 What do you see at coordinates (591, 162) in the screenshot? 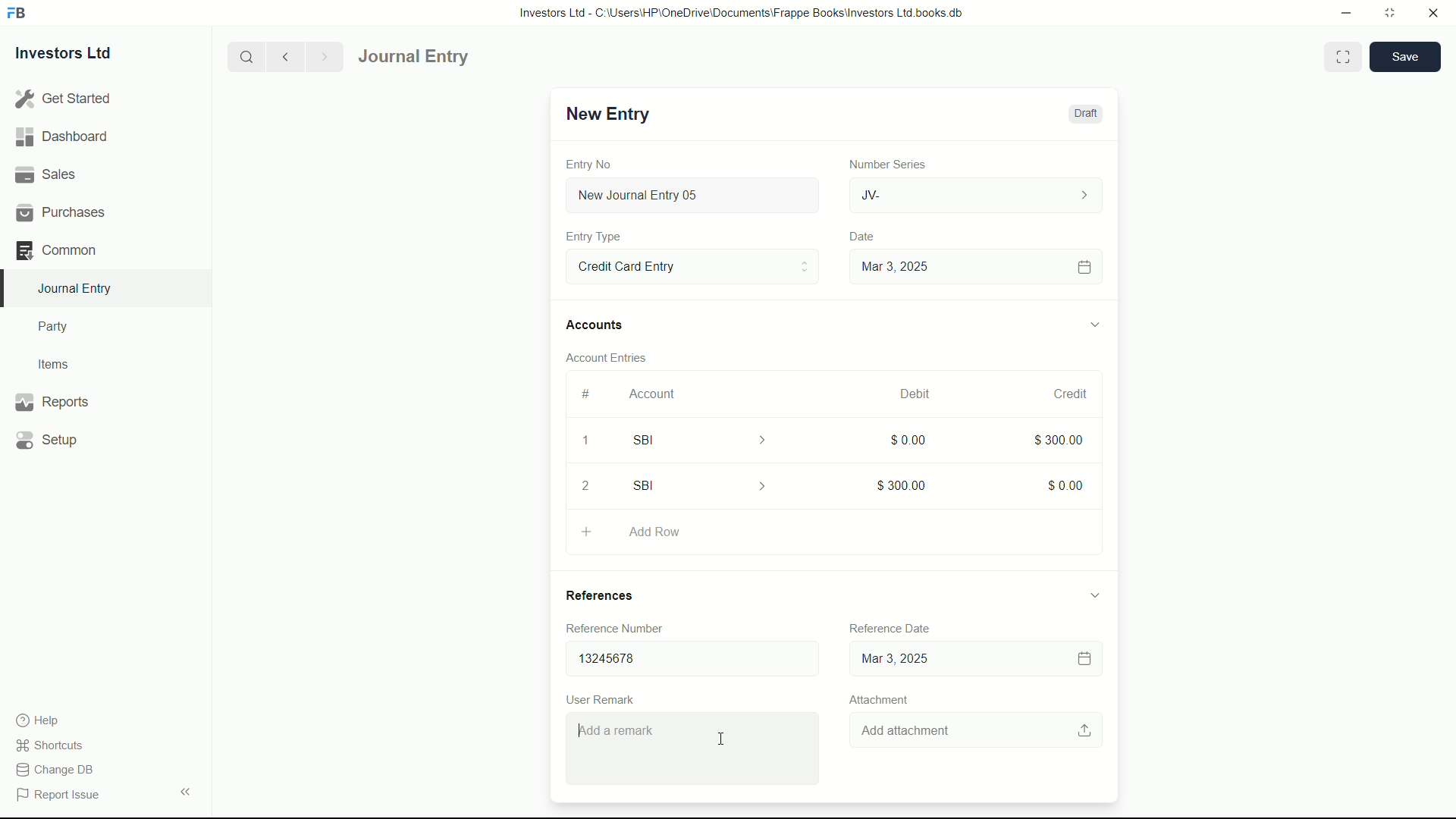
I see `Entry No` at bounding box center [591, 162].